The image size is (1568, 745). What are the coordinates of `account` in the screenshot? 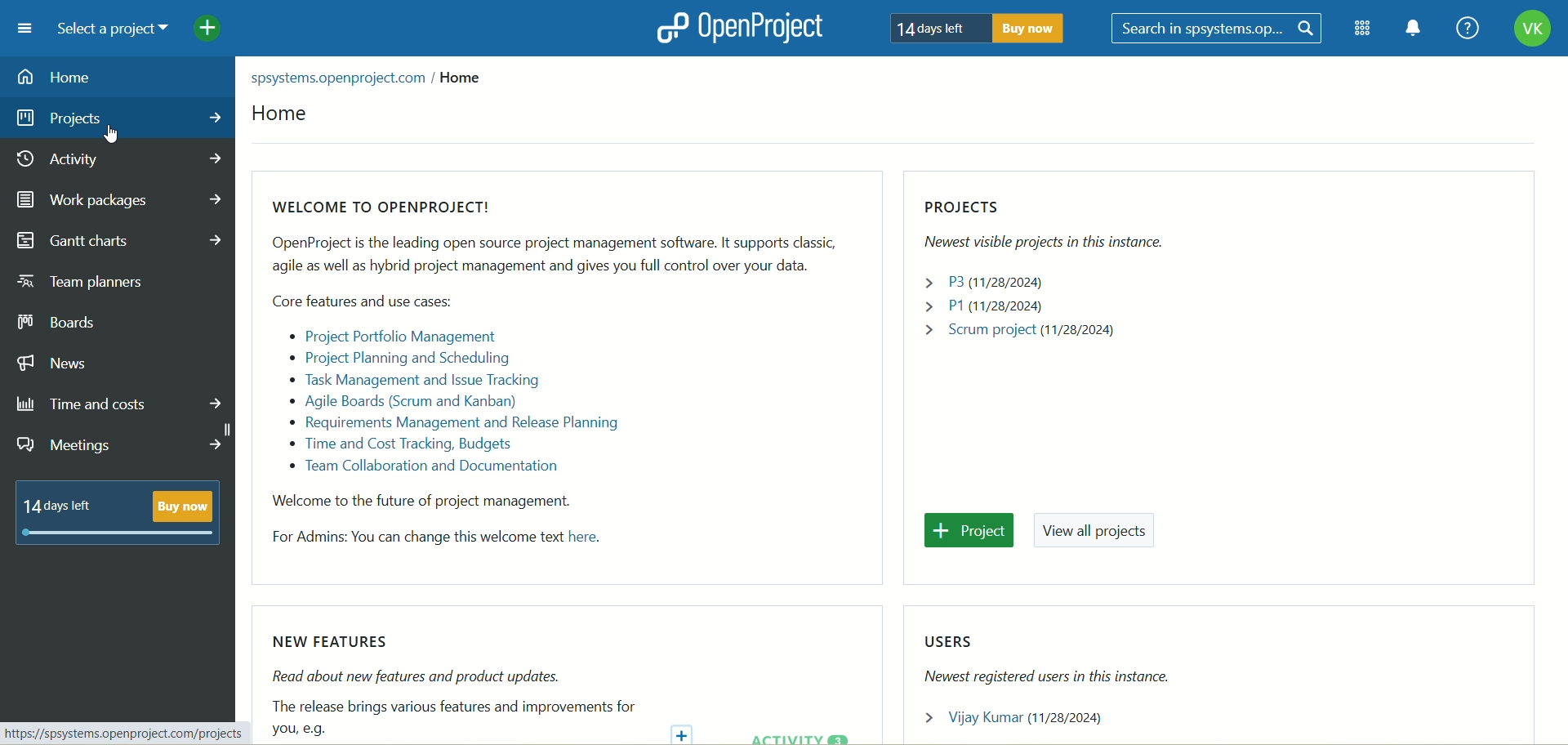 It's located at (1533, 29).